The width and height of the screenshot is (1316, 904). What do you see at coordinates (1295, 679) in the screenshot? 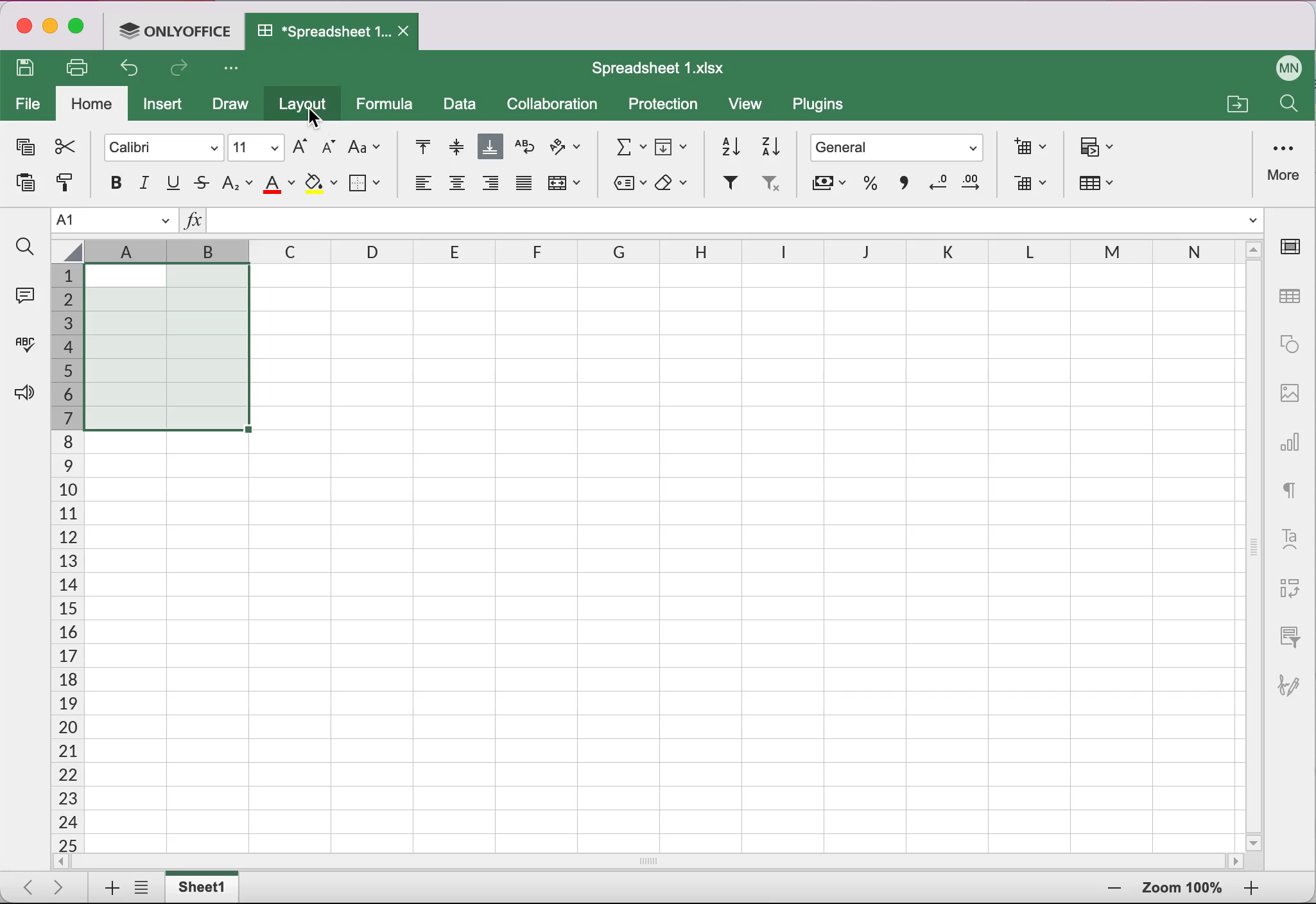
I see `signature` at bounding box center [1295, 679].